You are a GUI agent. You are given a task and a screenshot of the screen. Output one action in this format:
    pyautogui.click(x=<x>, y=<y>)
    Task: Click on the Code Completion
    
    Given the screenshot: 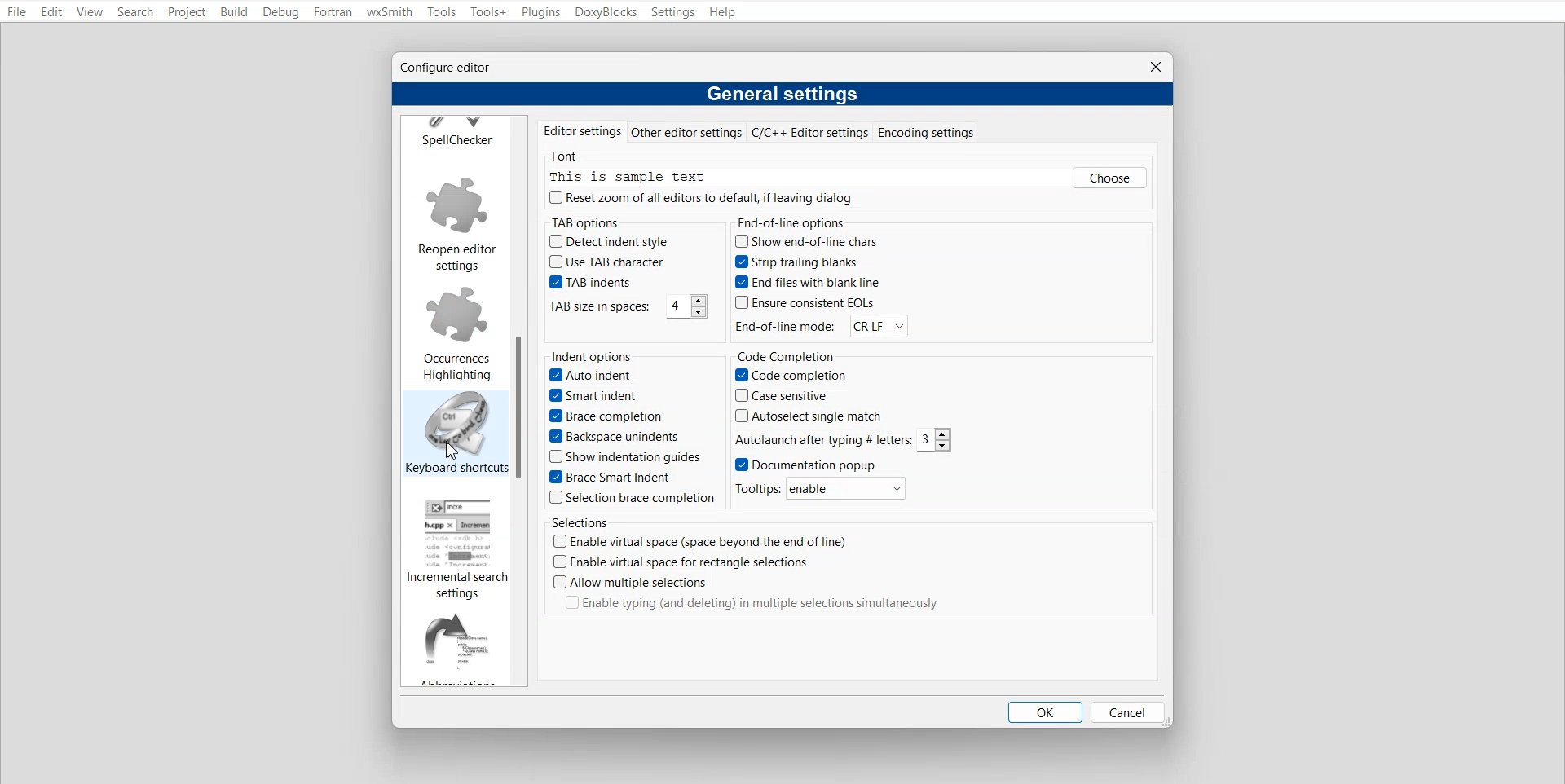 What is the action you would take?
    pyautogui.click(x=795, y=355)
    